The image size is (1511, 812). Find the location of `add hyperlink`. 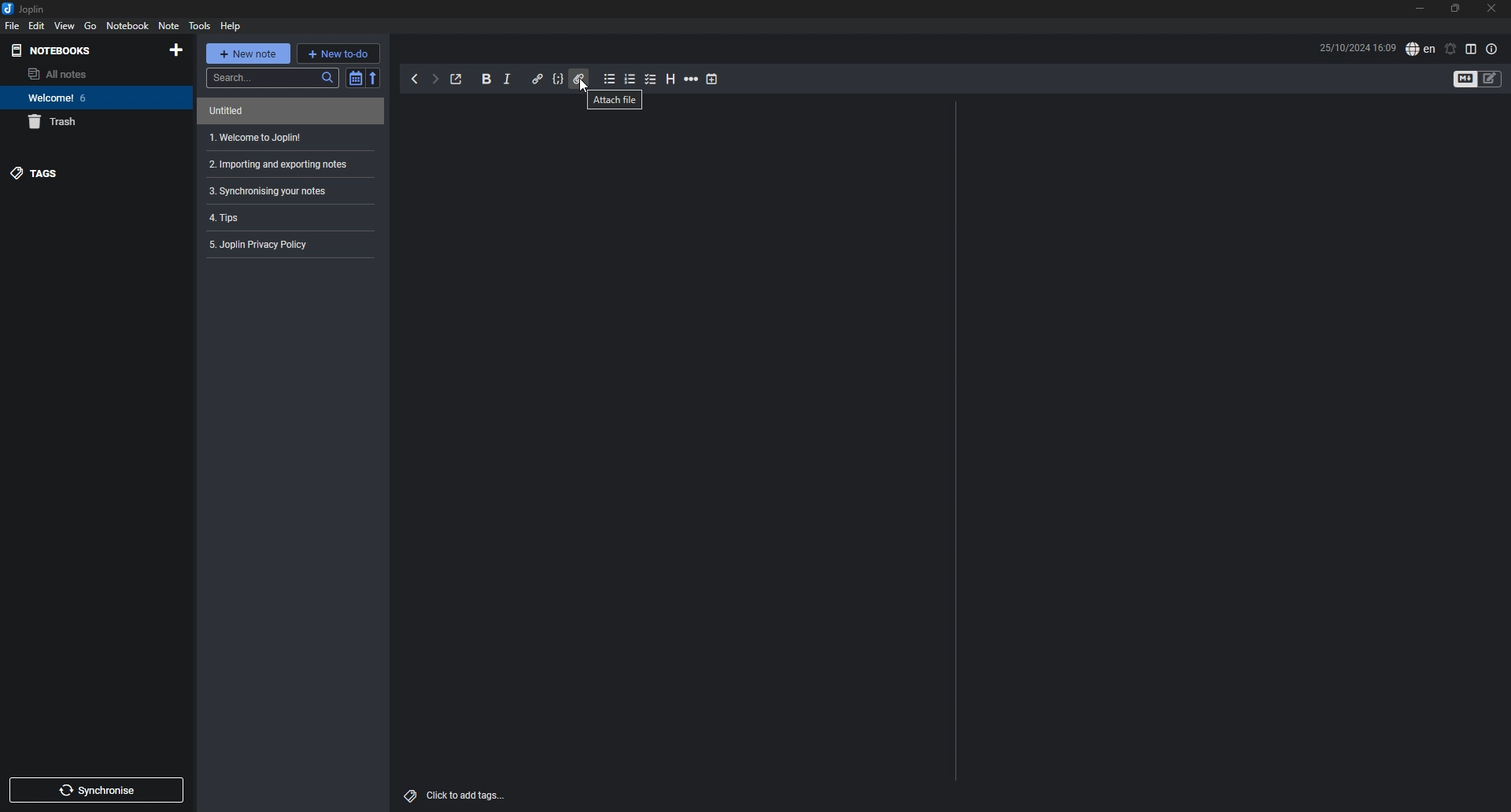

add hyperlink is located at coordinates (538, 79).